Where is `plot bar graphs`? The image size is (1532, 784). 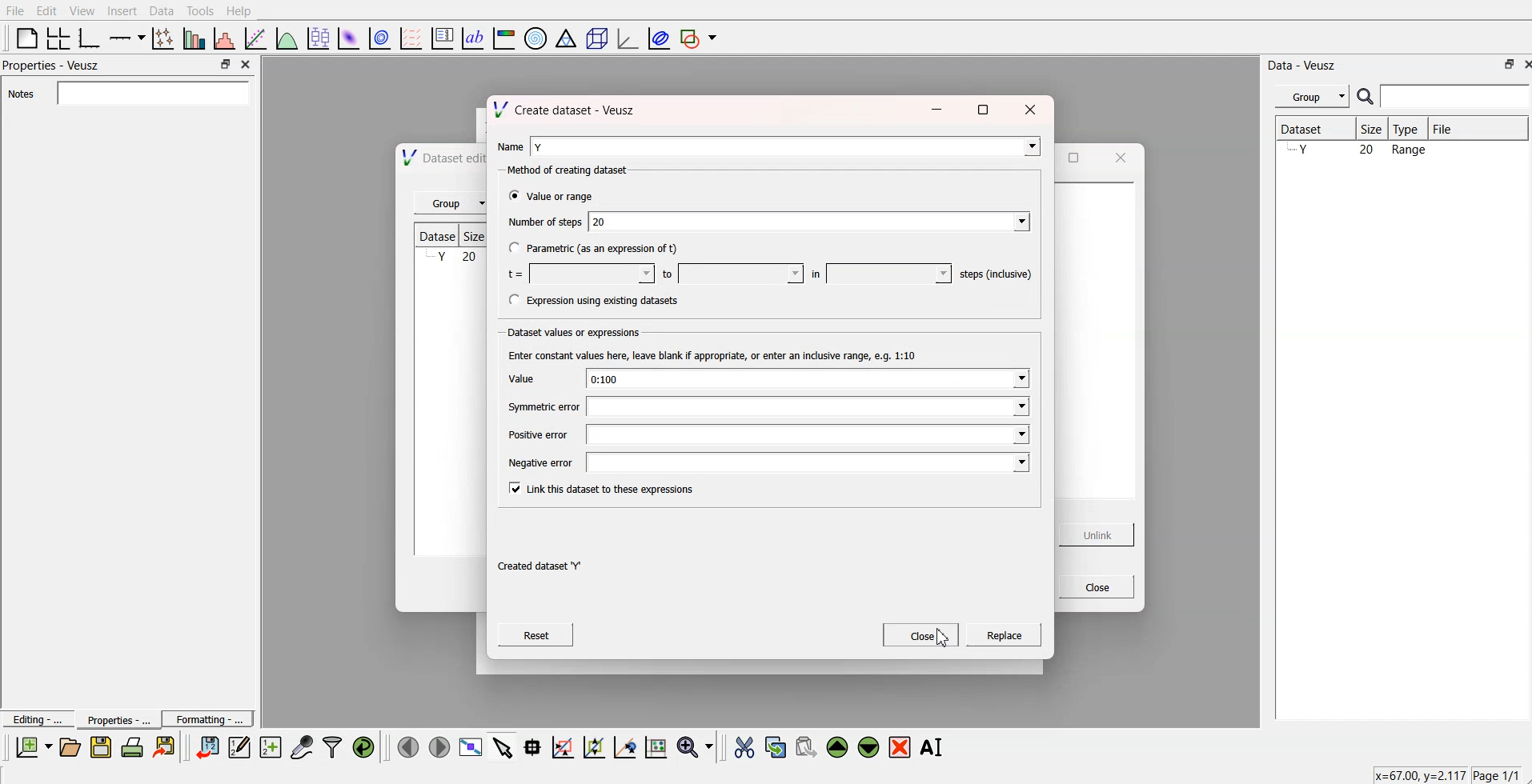
plot bar graphs is located at coordinates (195, 38).